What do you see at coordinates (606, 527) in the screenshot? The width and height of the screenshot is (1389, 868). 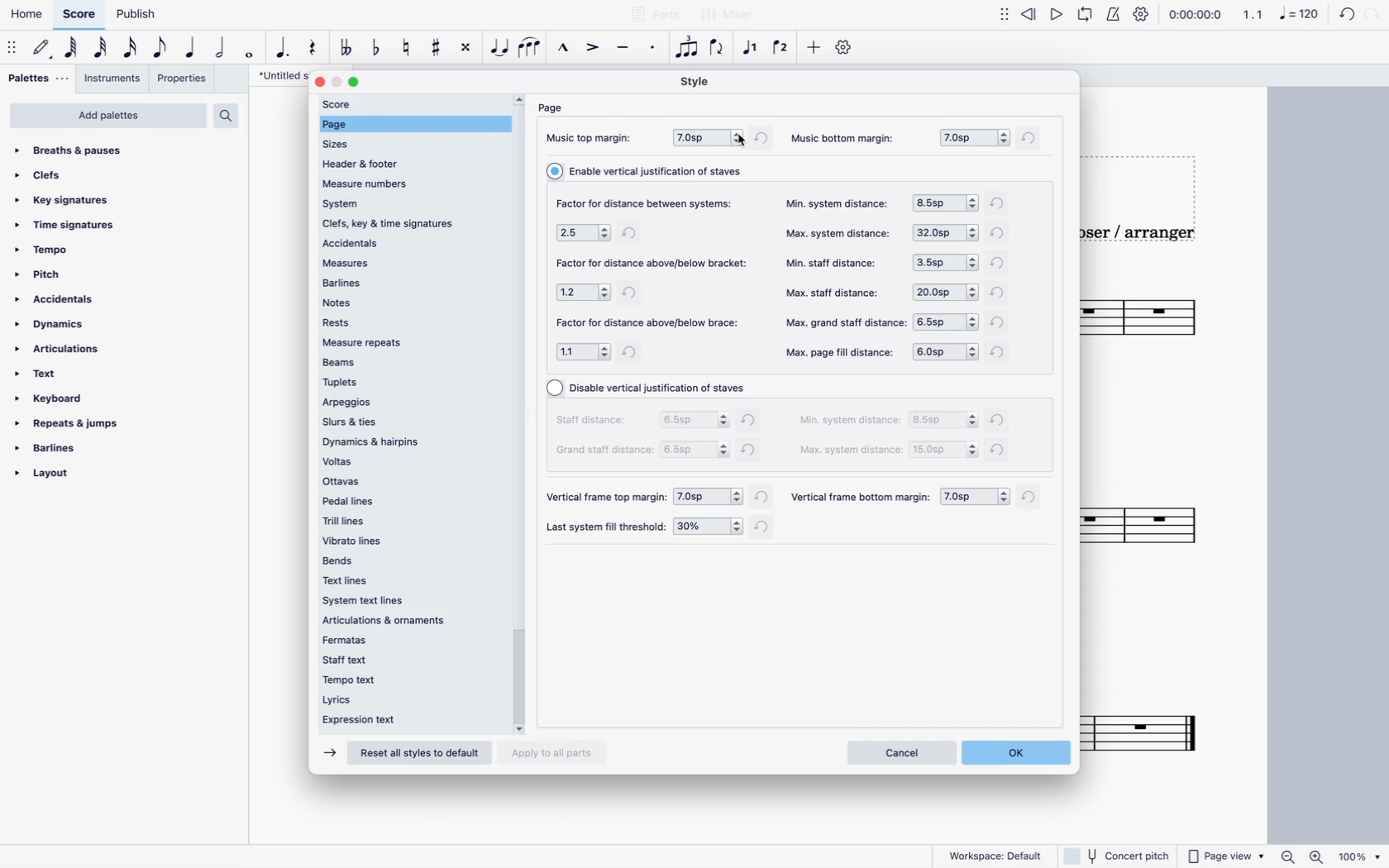 I see `file threshold` at bounding box center [606, 527].